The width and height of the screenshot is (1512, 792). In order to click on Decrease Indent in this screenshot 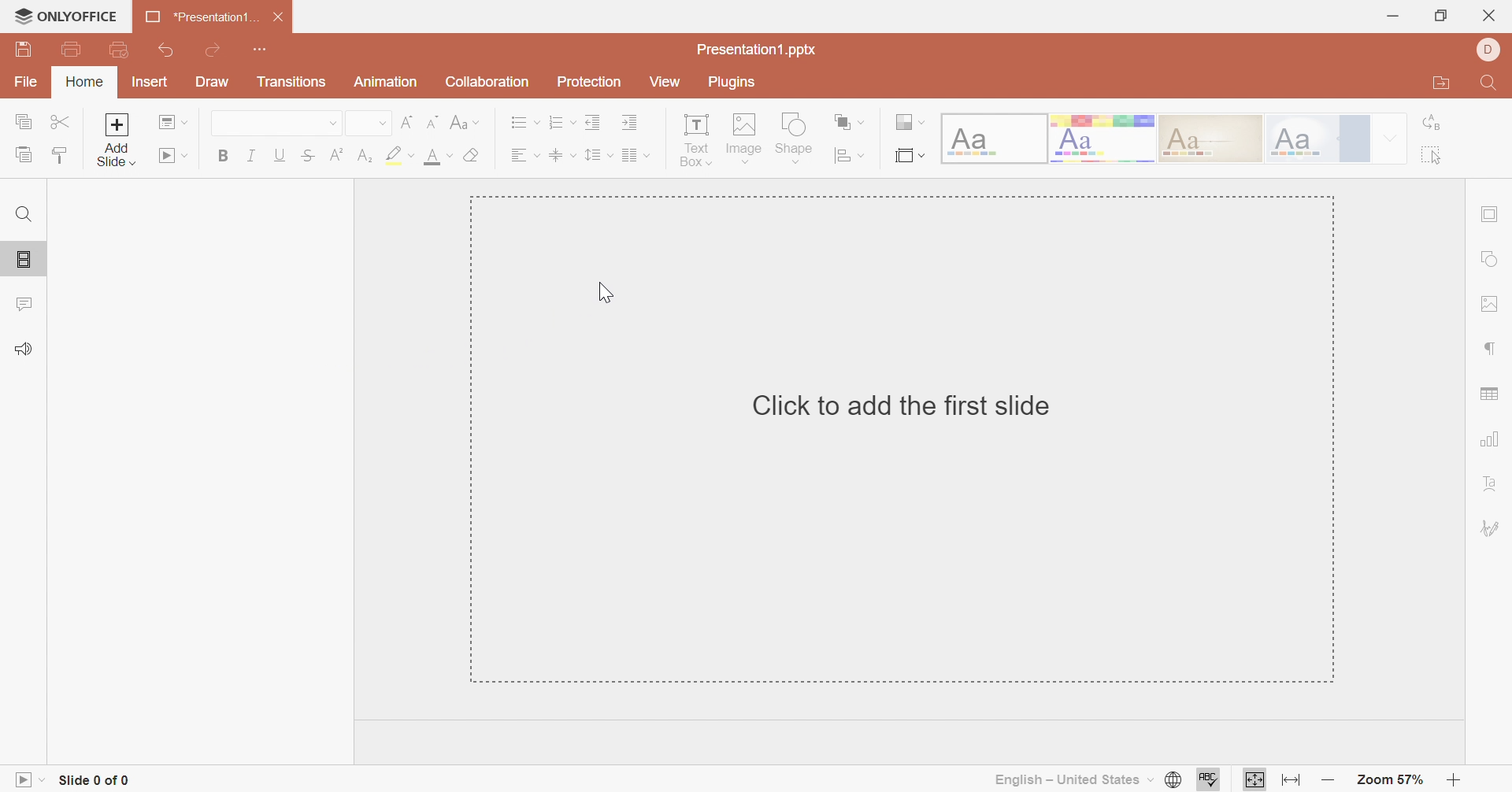, I will do `click(593, 120)`.